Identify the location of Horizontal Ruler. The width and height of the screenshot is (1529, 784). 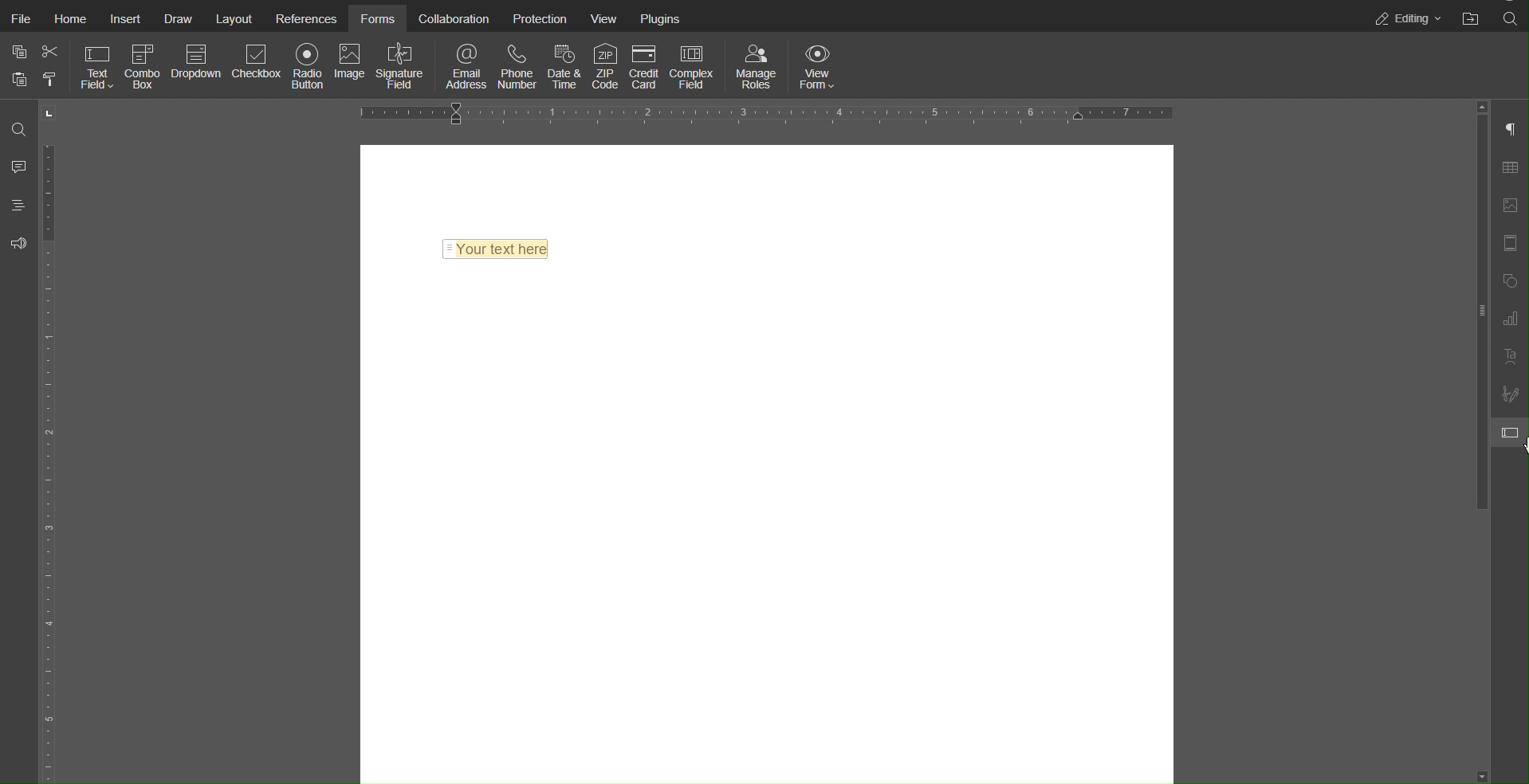
(769, 114).